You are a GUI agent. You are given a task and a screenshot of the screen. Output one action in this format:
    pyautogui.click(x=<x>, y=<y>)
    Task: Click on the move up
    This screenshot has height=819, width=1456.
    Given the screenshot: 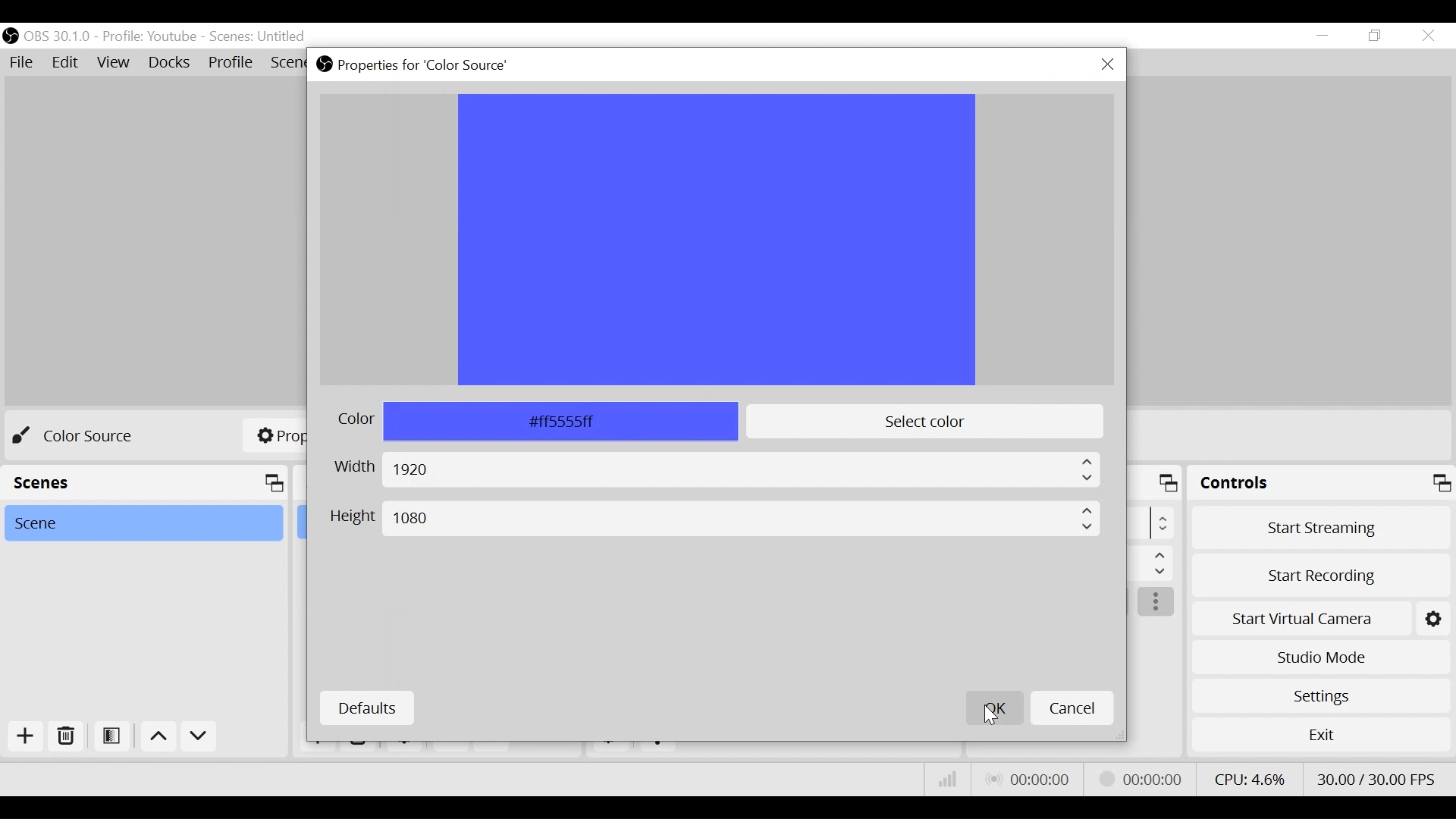 What is the action you would take?
    pyautogui.click(x=157, y=736)
    